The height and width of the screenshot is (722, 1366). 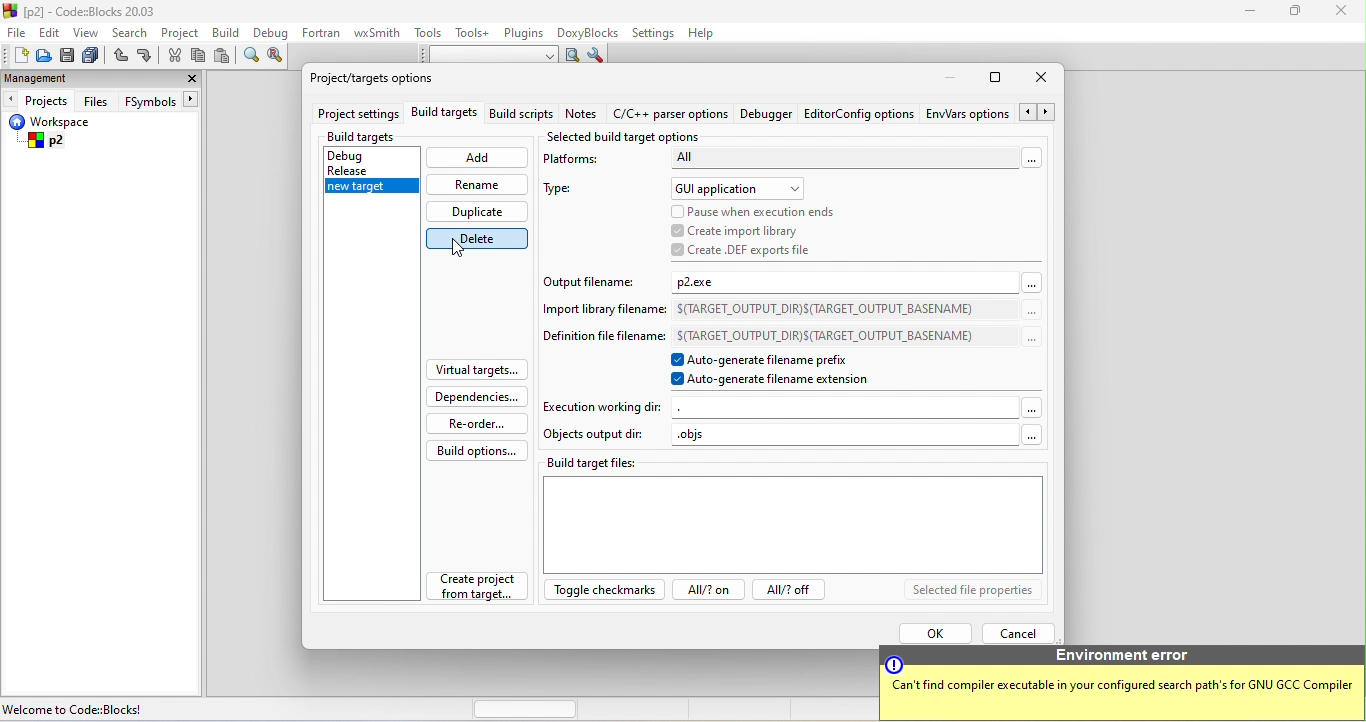 What do you see at coordinates (41, 59) in the screenshot?
I see `open` at bounding box center [41, 59].